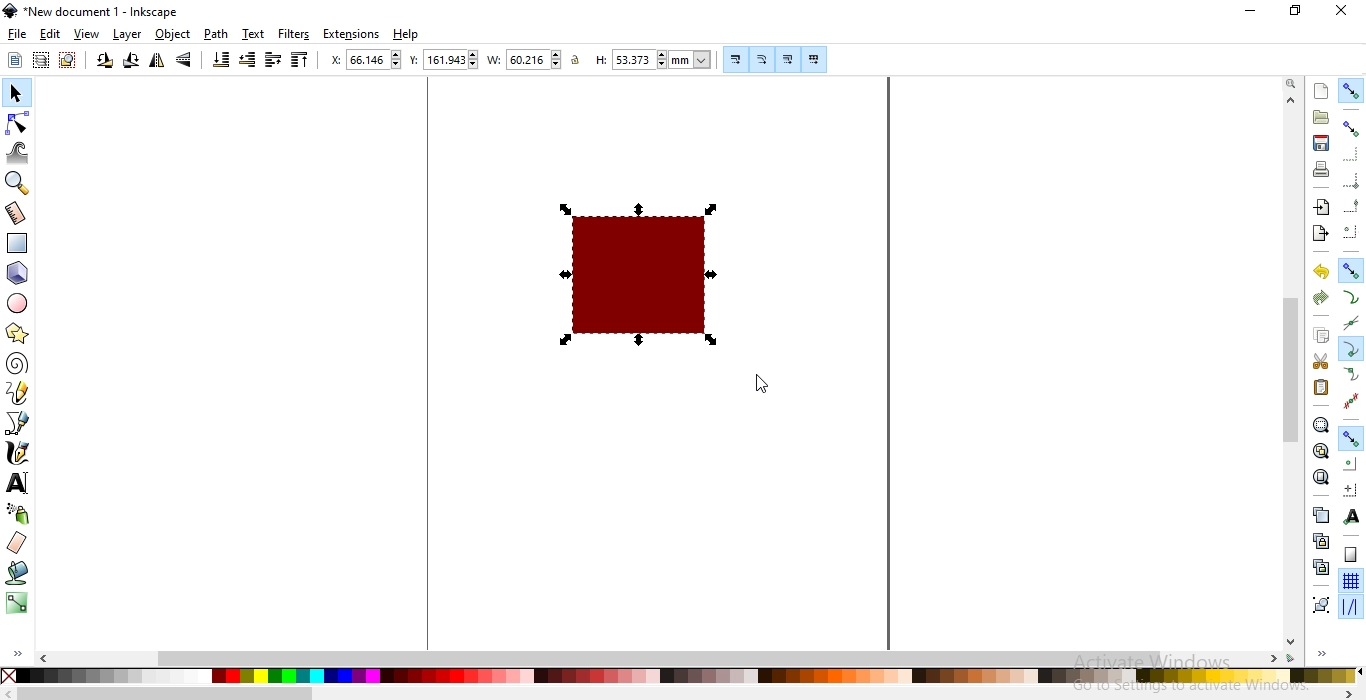  What do you see at coordinates (14, 60) in the screenshot?
I see `select all objects or nodes` at bounding box center [14, 60].